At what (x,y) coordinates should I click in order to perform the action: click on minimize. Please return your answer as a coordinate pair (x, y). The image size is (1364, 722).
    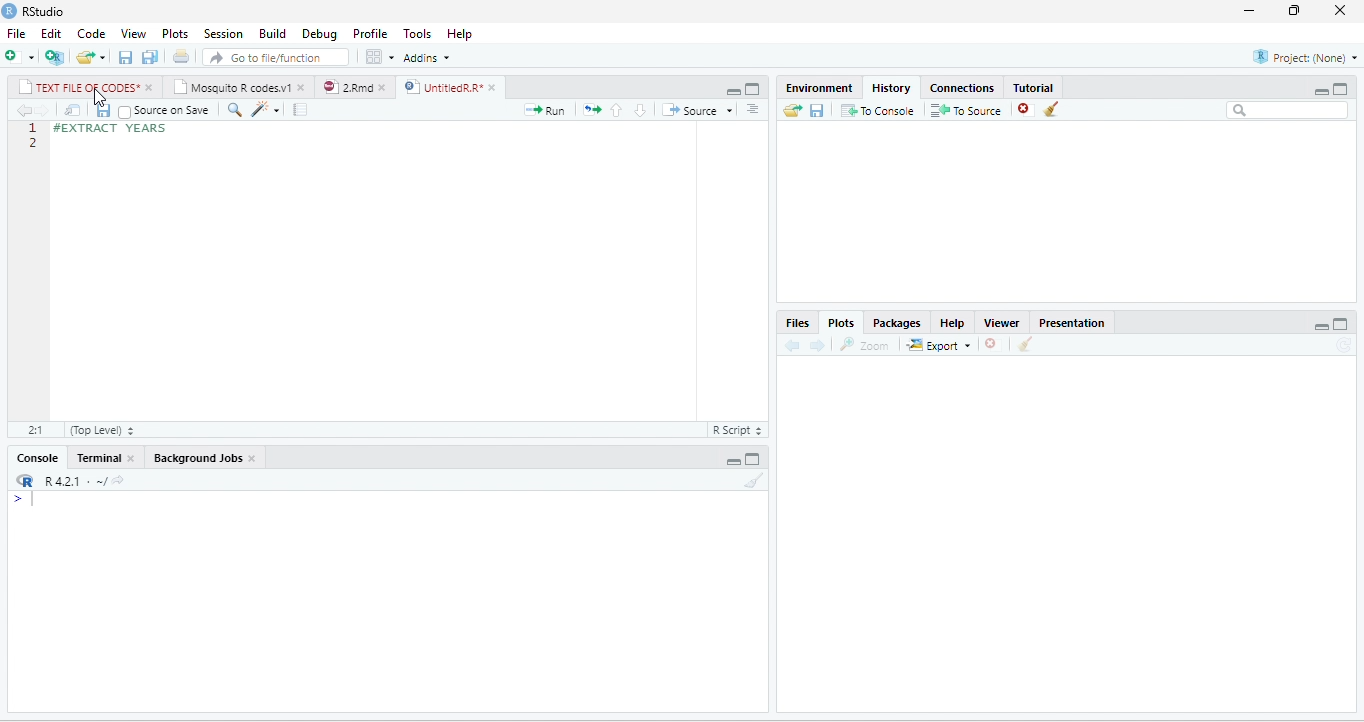
    Looking at the image, I should click on (1250, 11).